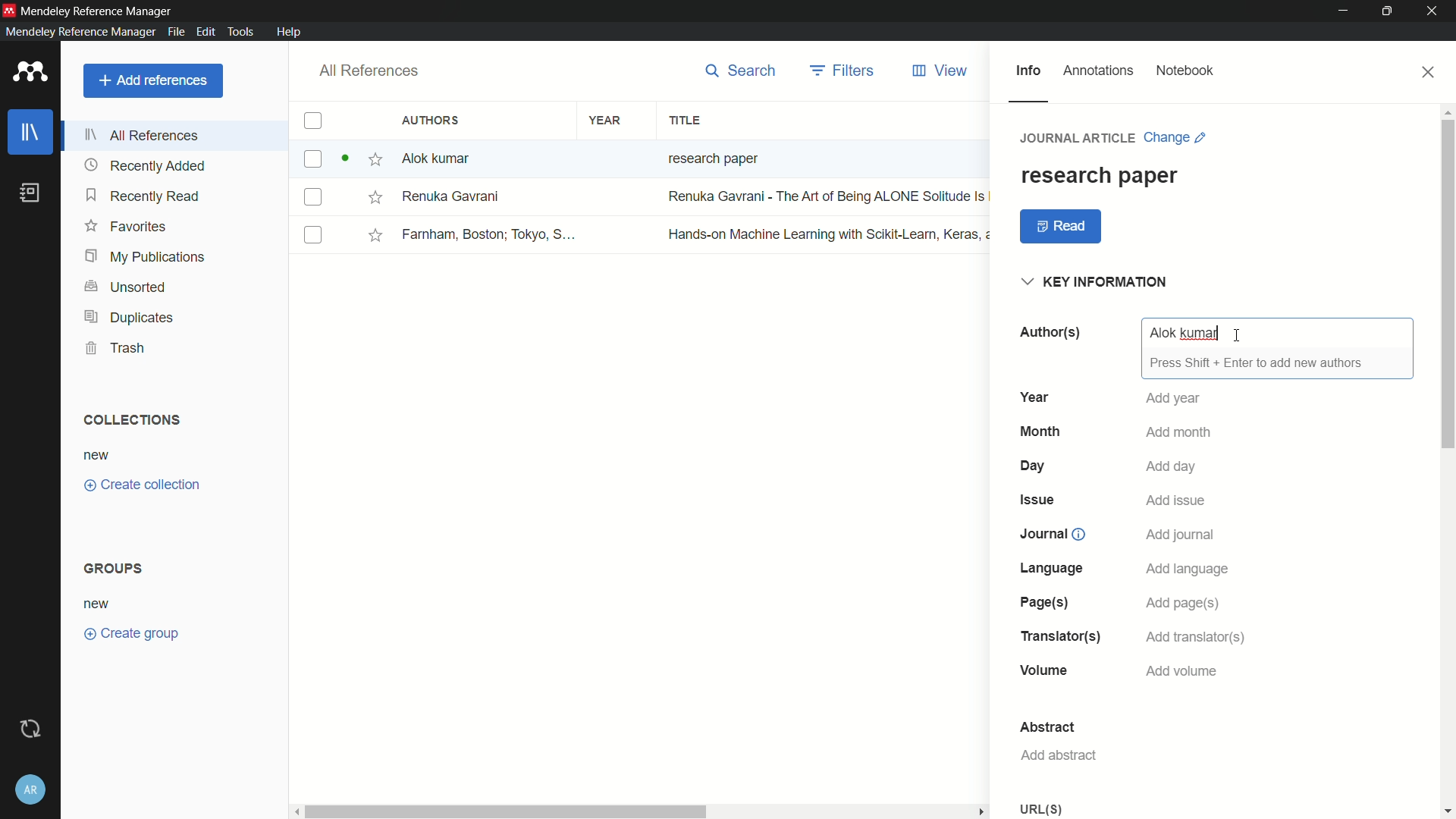 The image size is (1456, 819). What do you see at coordinates (541, 158) in the screenshot?
I see `book-1` at bounding box center [541, 158].